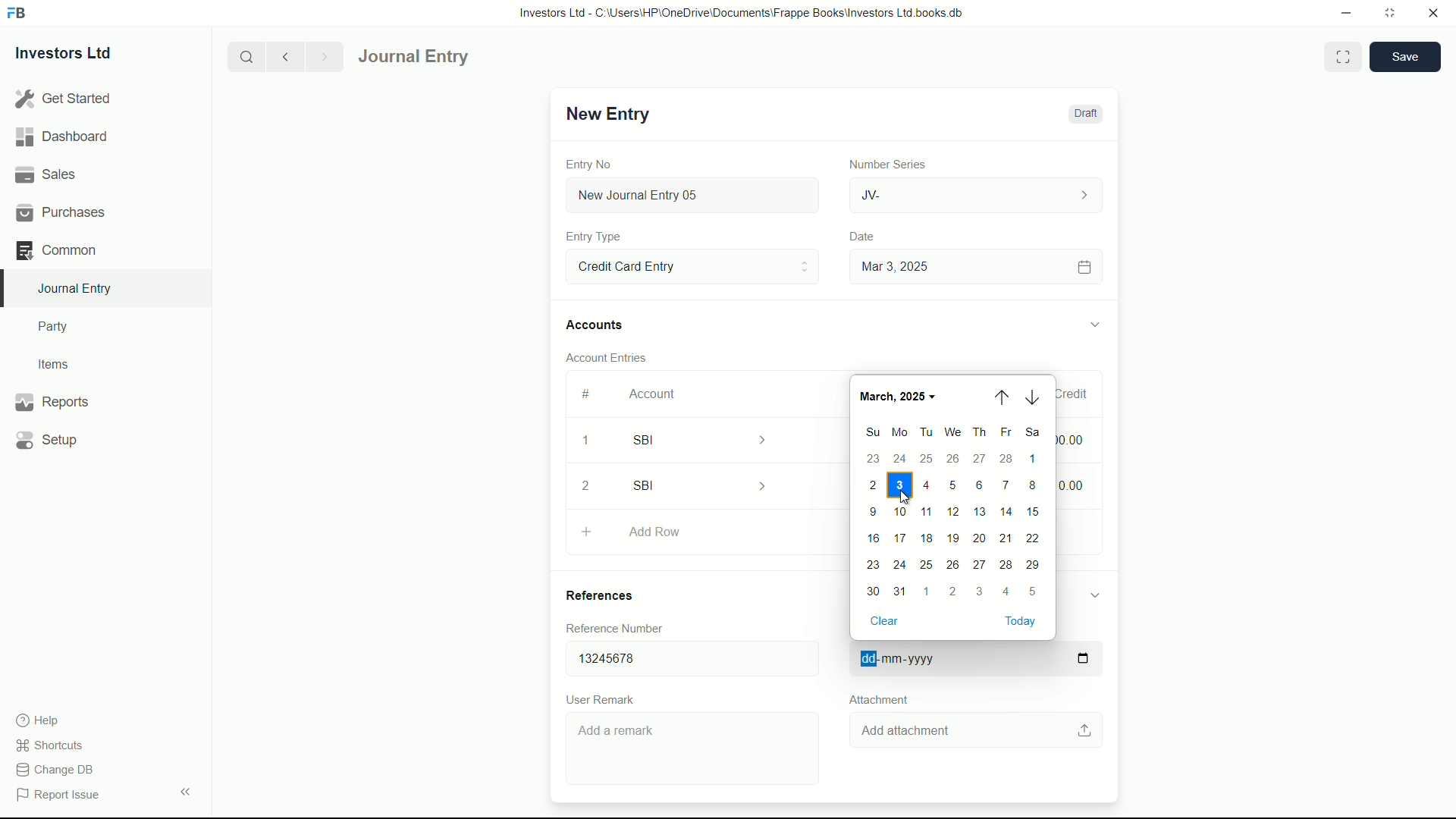 This screenshot has height=819, width=1456. I want to click on search, so click(245, 55).